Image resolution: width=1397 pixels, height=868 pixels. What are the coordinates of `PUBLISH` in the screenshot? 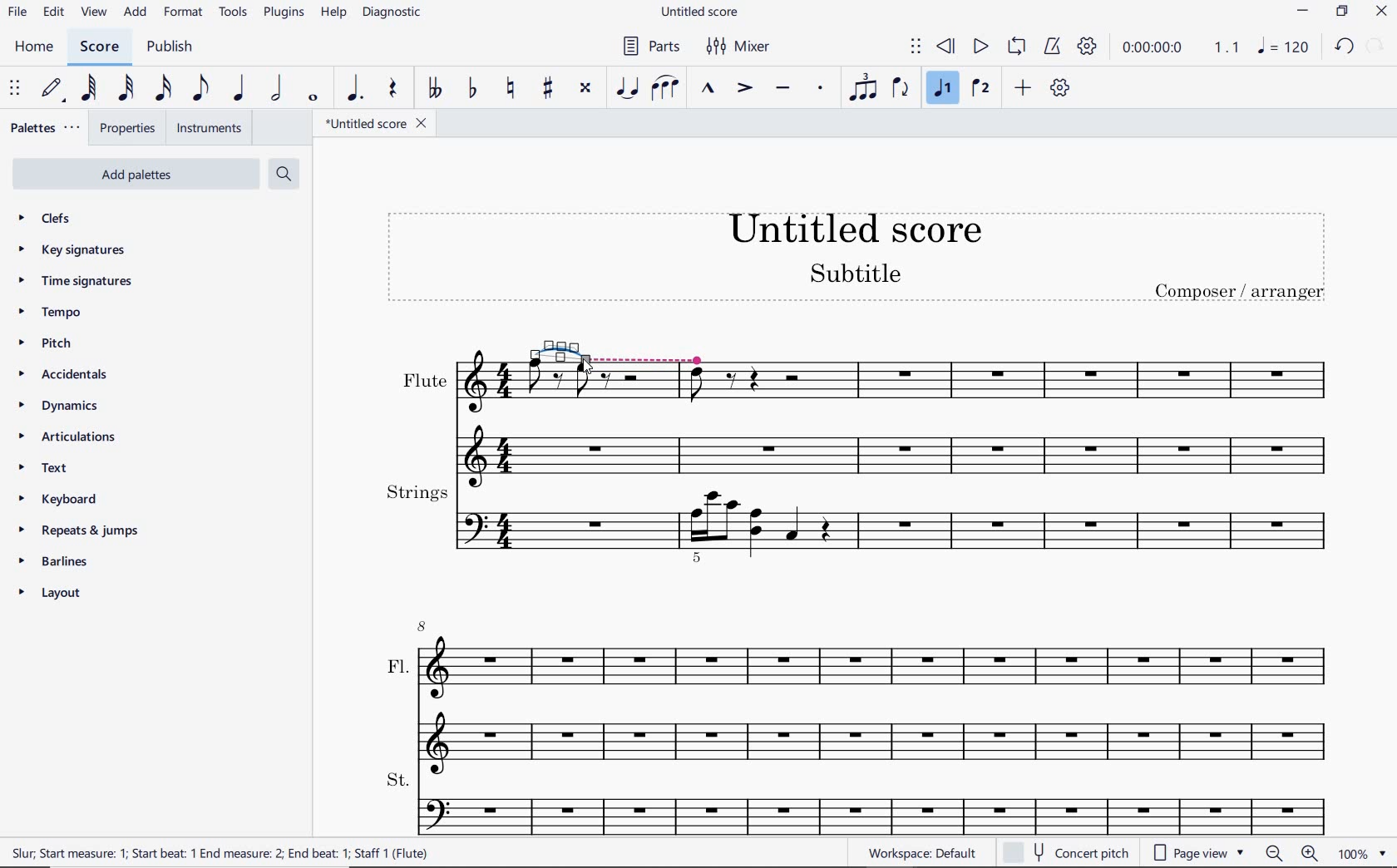 It's located at (173, 47).